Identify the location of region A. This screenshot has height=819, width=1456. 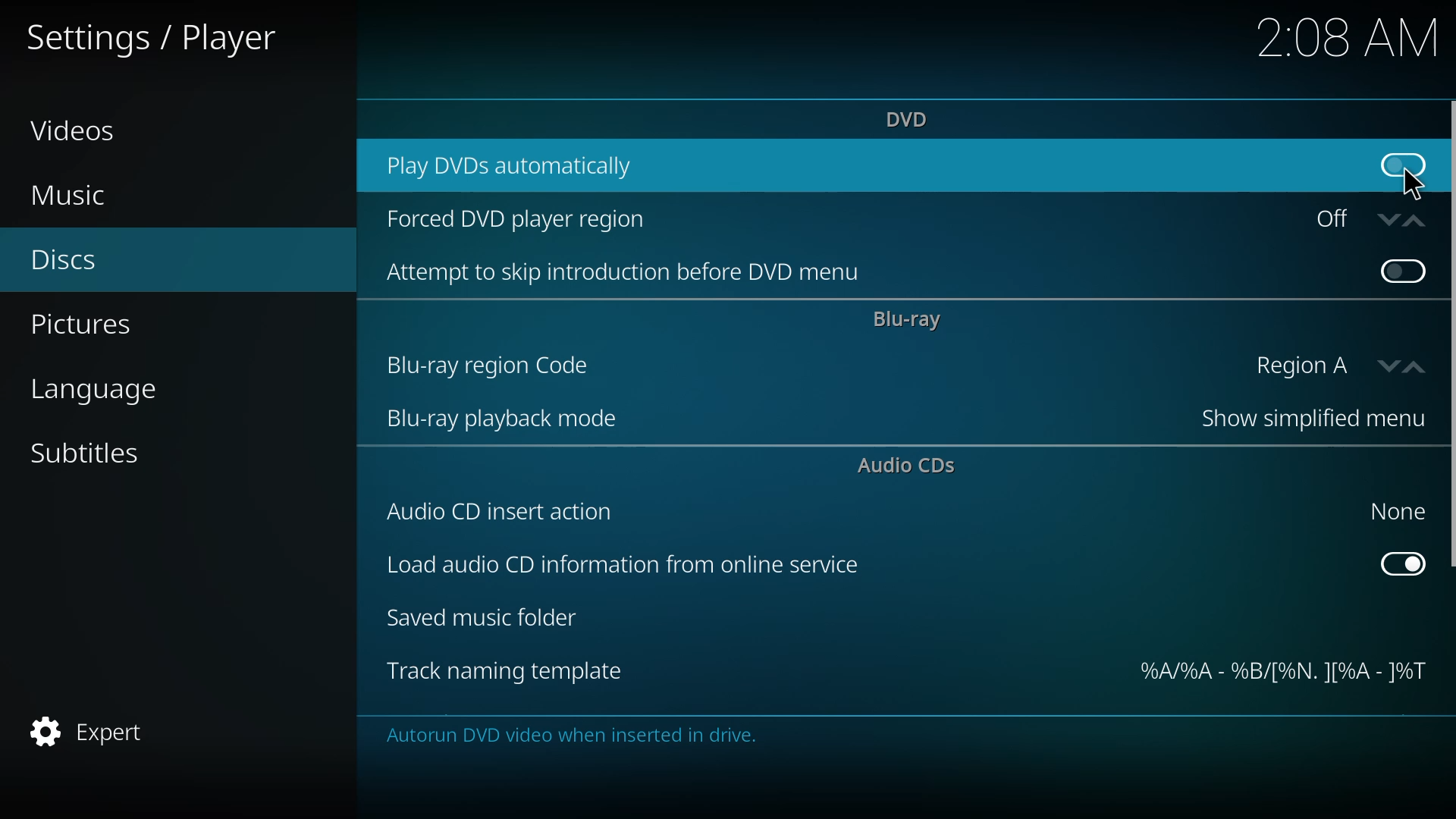
(1330, 365).